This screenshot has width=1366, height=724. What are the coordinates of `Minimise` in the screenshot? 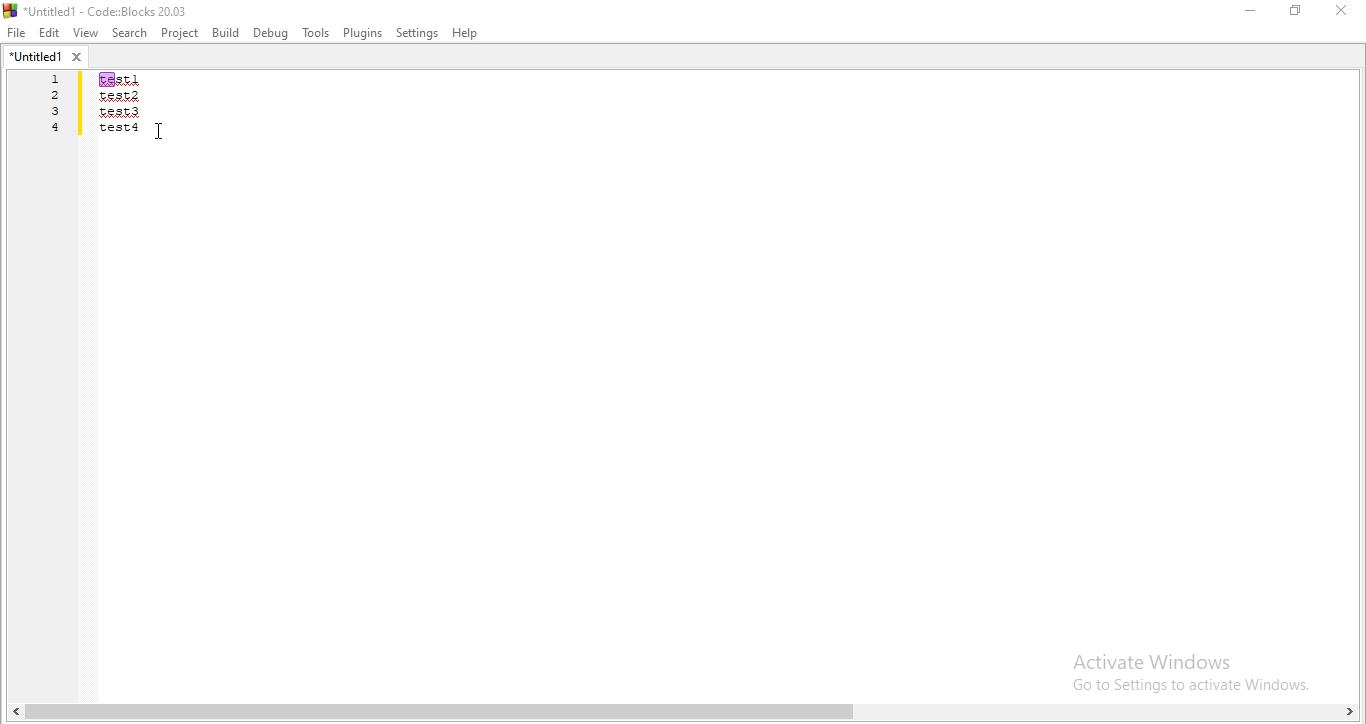 It's located at (1248, 14).